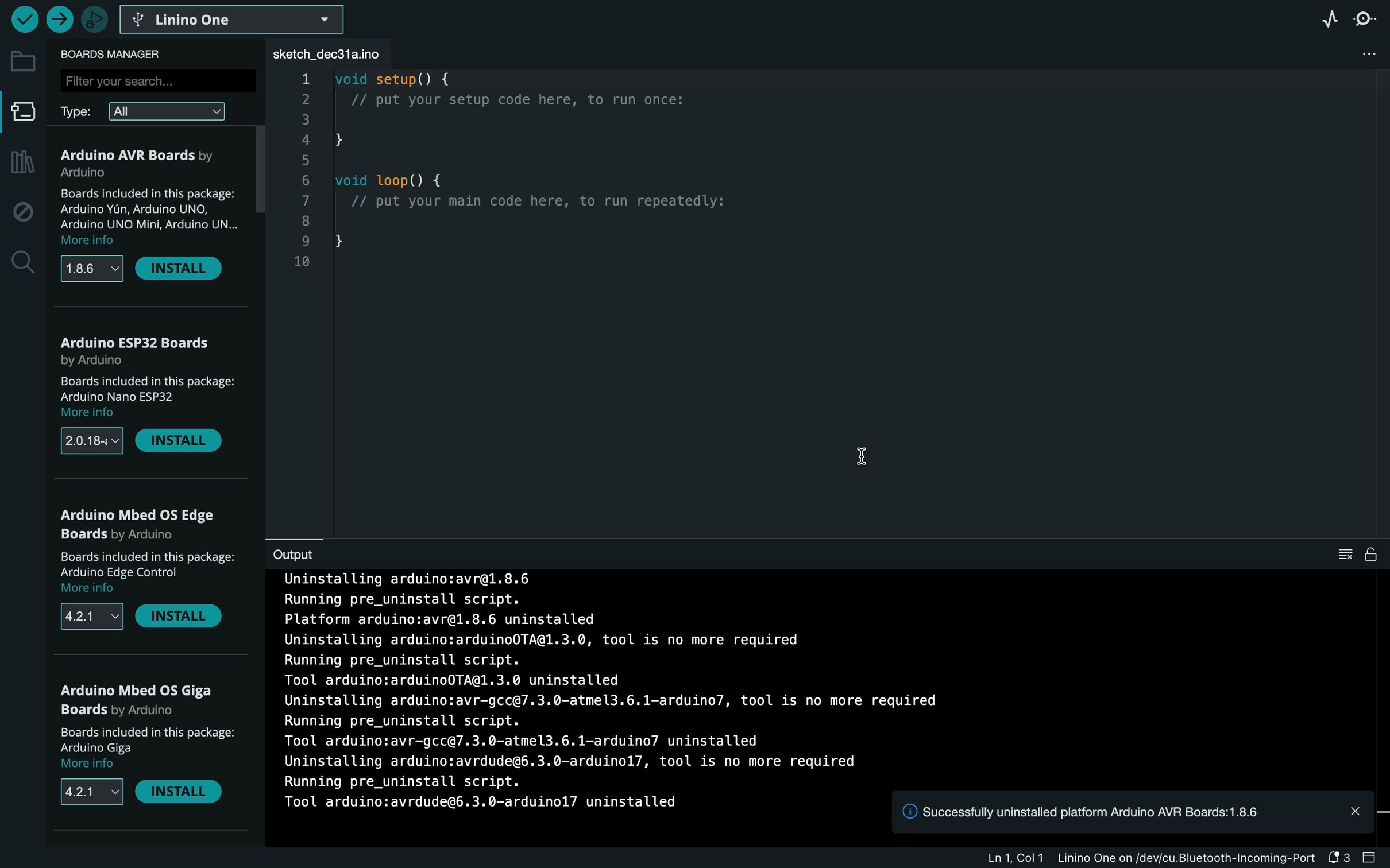  Describe the element at coordinates (160, 80) in the screenshot. I see `search bar` at that location.